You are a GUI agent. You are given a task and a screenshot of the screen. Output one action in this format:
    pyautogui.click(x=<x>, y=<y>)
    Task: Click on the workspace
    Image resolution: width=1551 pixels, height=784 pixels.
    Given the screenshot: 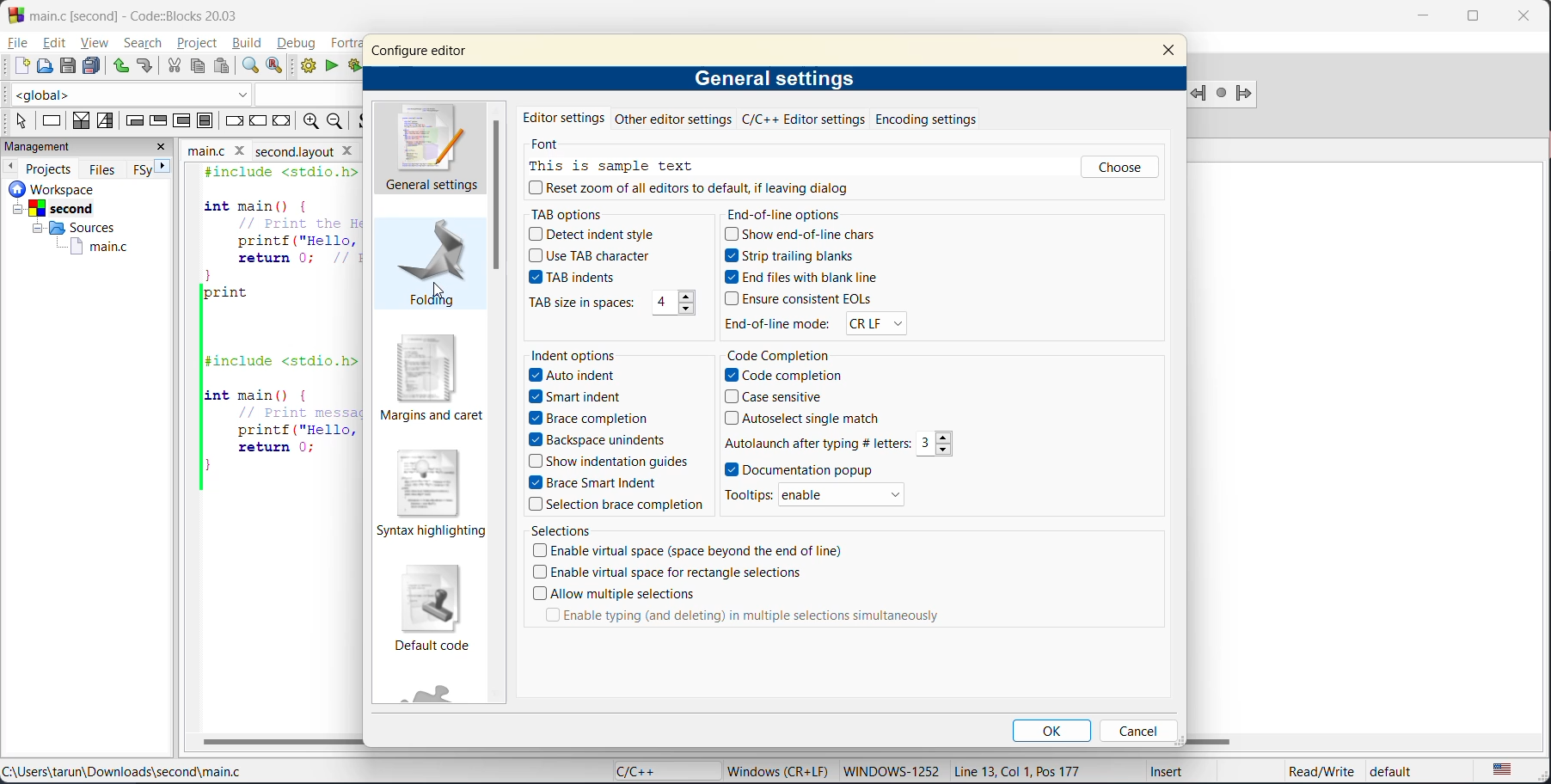 What is the action you would take?
    pyautogui.click(x=76, y=188)
    